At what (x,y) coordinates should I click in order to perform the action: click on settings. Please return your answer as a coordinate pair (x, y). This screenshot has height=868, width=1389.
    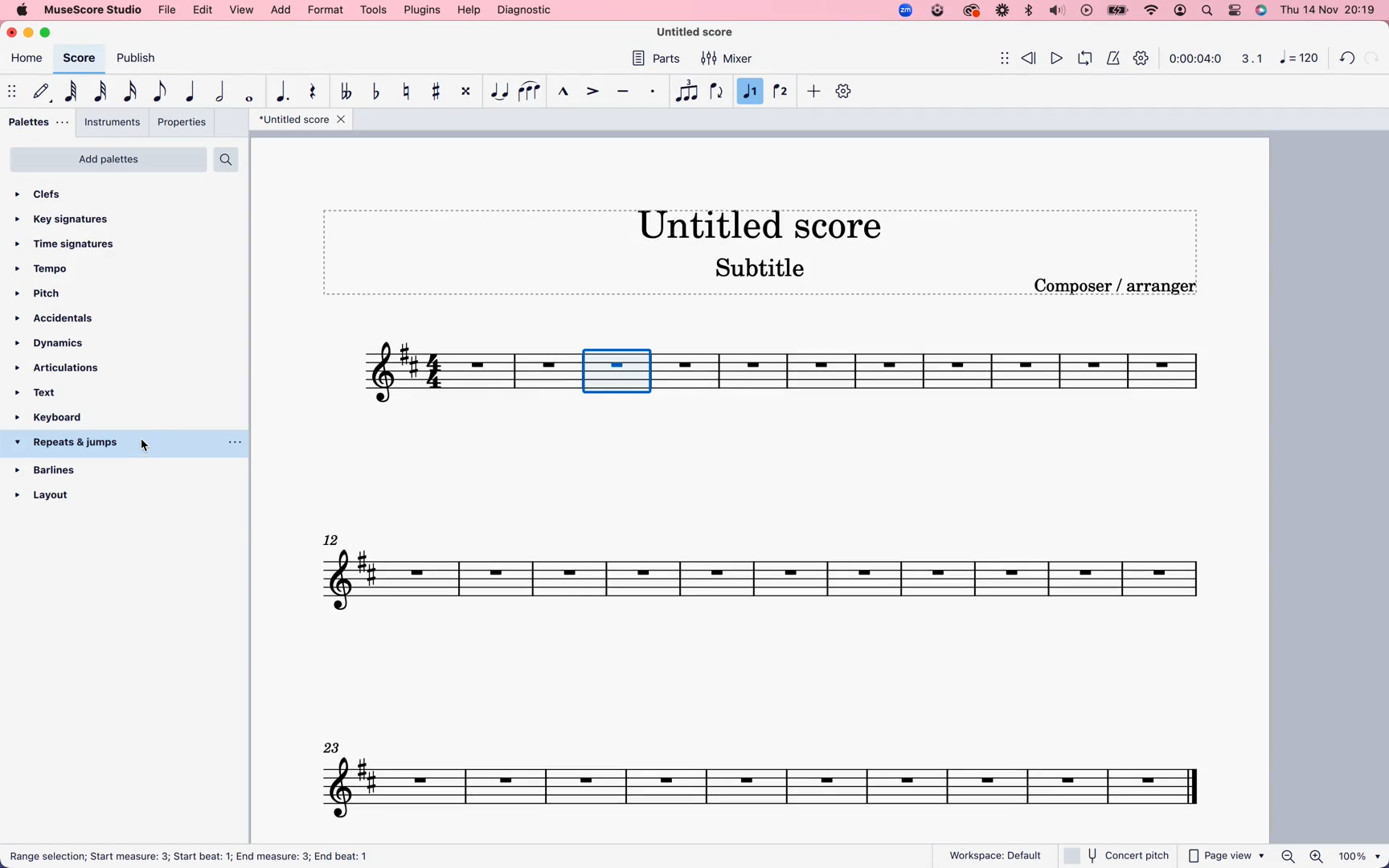
    Looking at the image, I should click on (1235, 10).